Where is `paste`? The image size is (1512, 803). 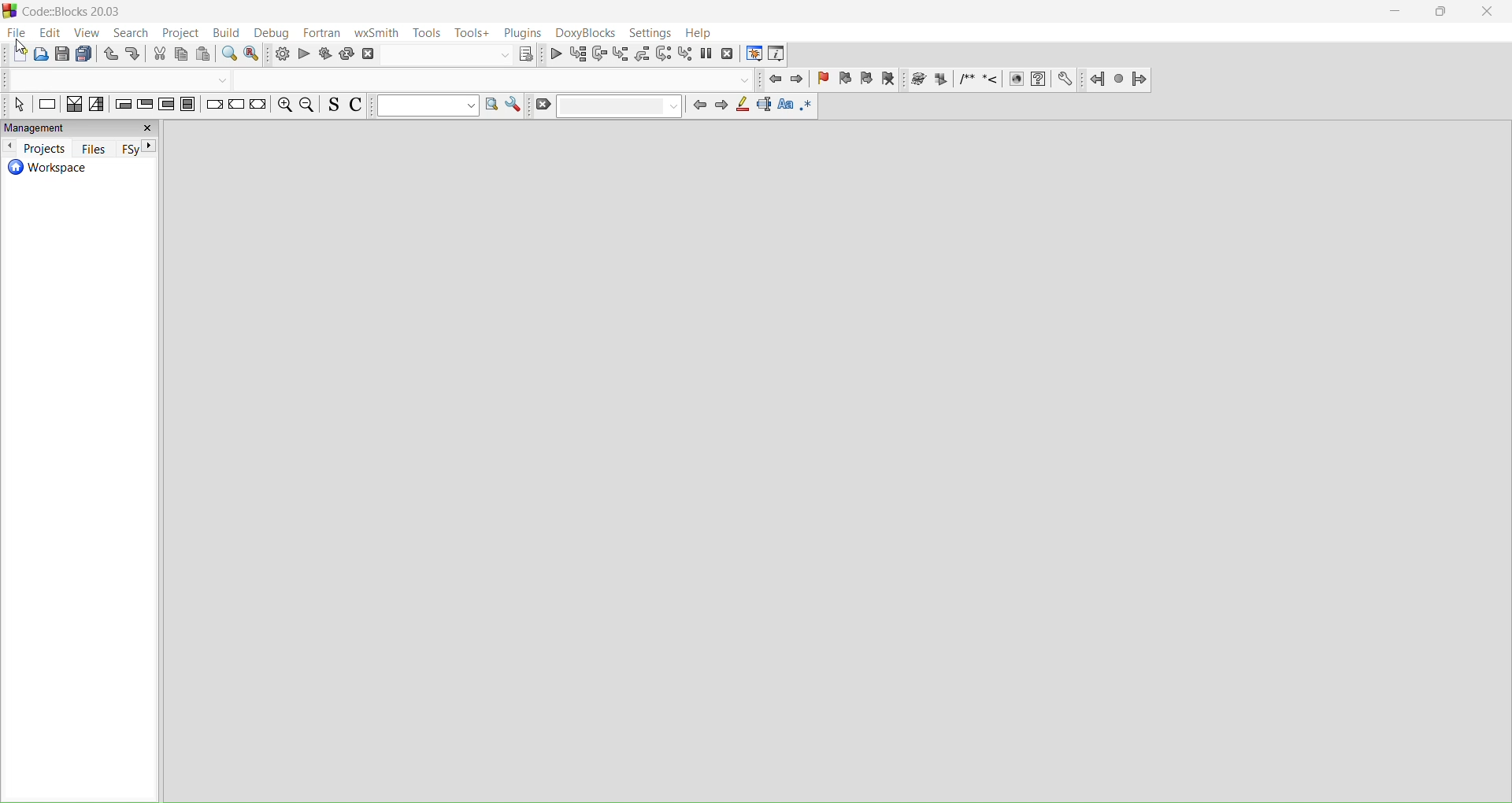
paste is located at coordinates (87, 54).